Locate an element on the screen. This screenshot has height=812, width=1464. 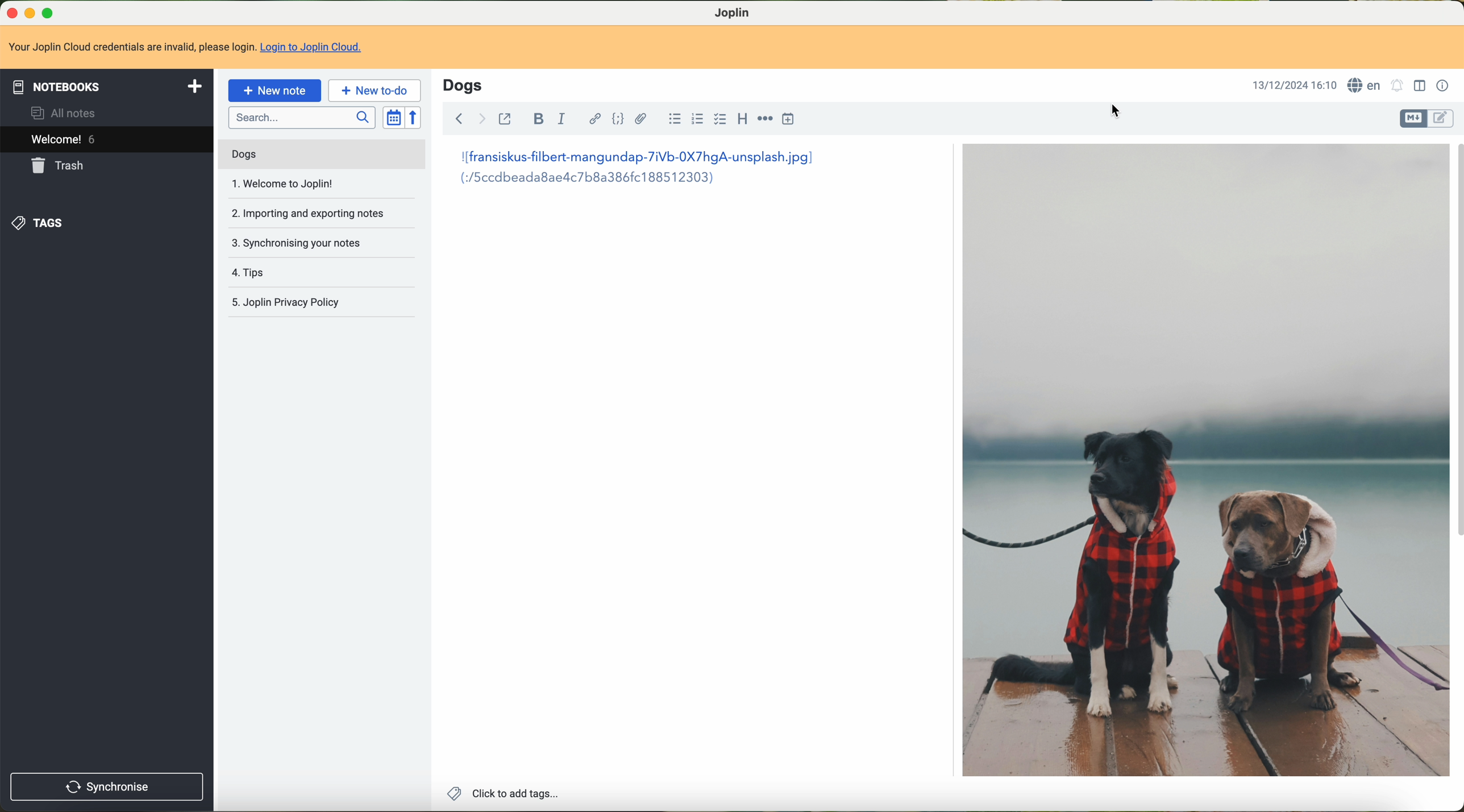
search bar is located at coordinates (302, 118).